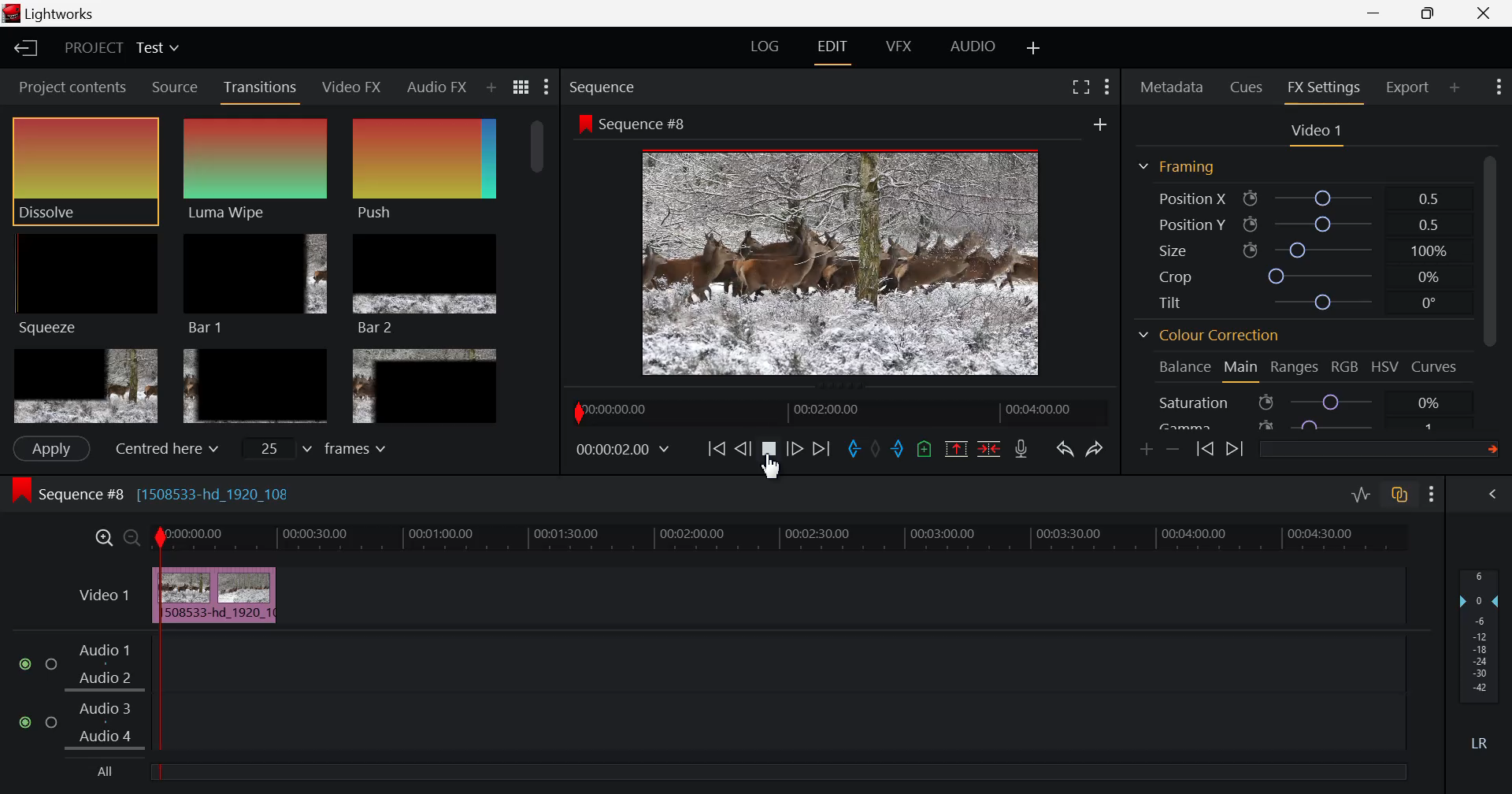 This screenshot has height=794, width=1512. I want to click on Video FX, so click(353, 86).